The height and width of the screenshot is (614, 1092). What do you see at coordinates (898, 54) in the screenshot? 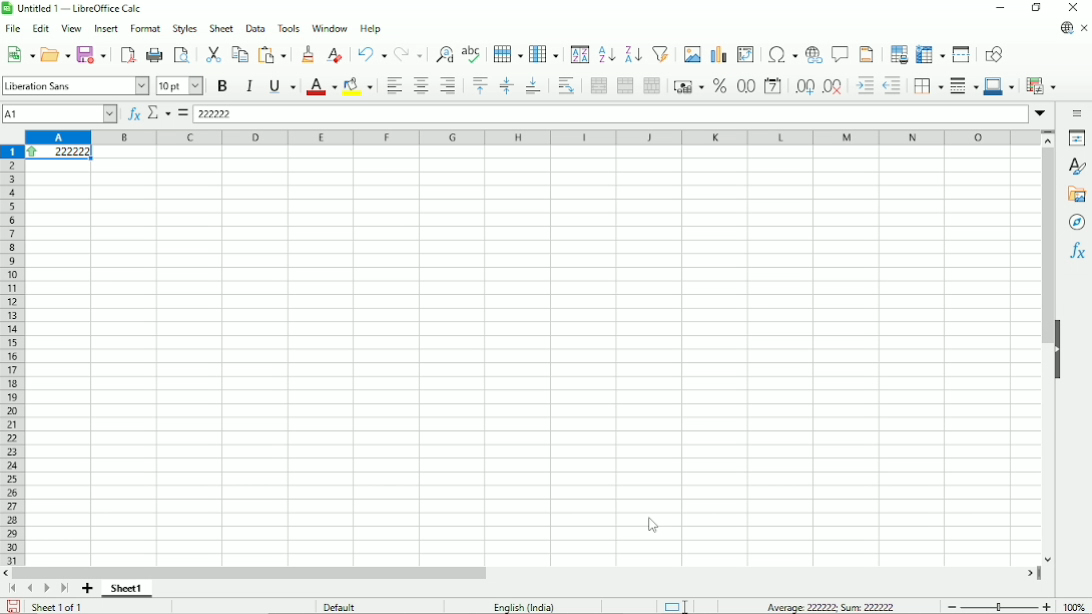
I see `Define print area` at bounding box center [898, 54].